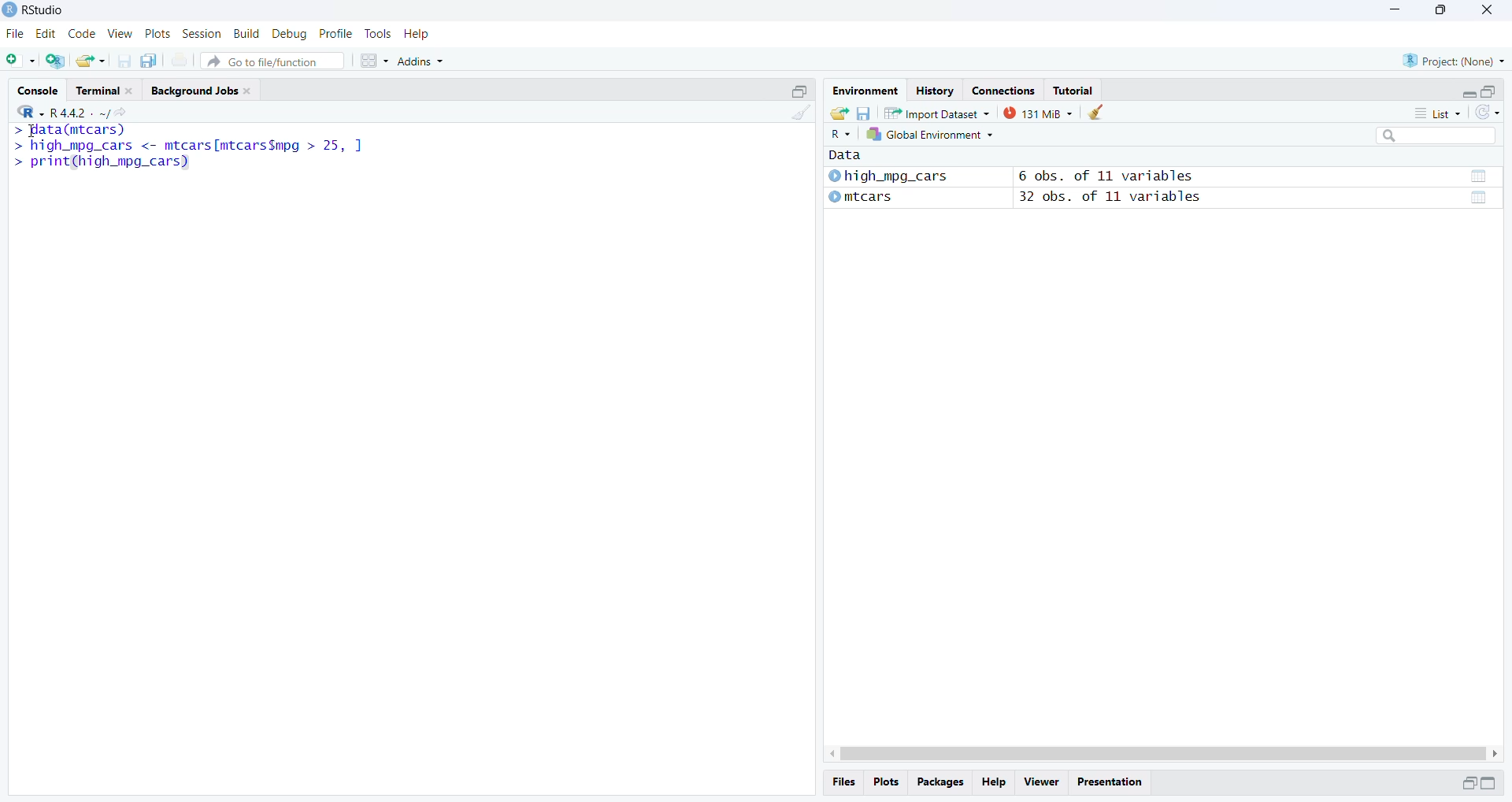 Image resolution: width=1512 pixels, height=802 pixels. Describe the element at coordinates (1036, 113) in the screenshot. I see `125 MiB` at that location.